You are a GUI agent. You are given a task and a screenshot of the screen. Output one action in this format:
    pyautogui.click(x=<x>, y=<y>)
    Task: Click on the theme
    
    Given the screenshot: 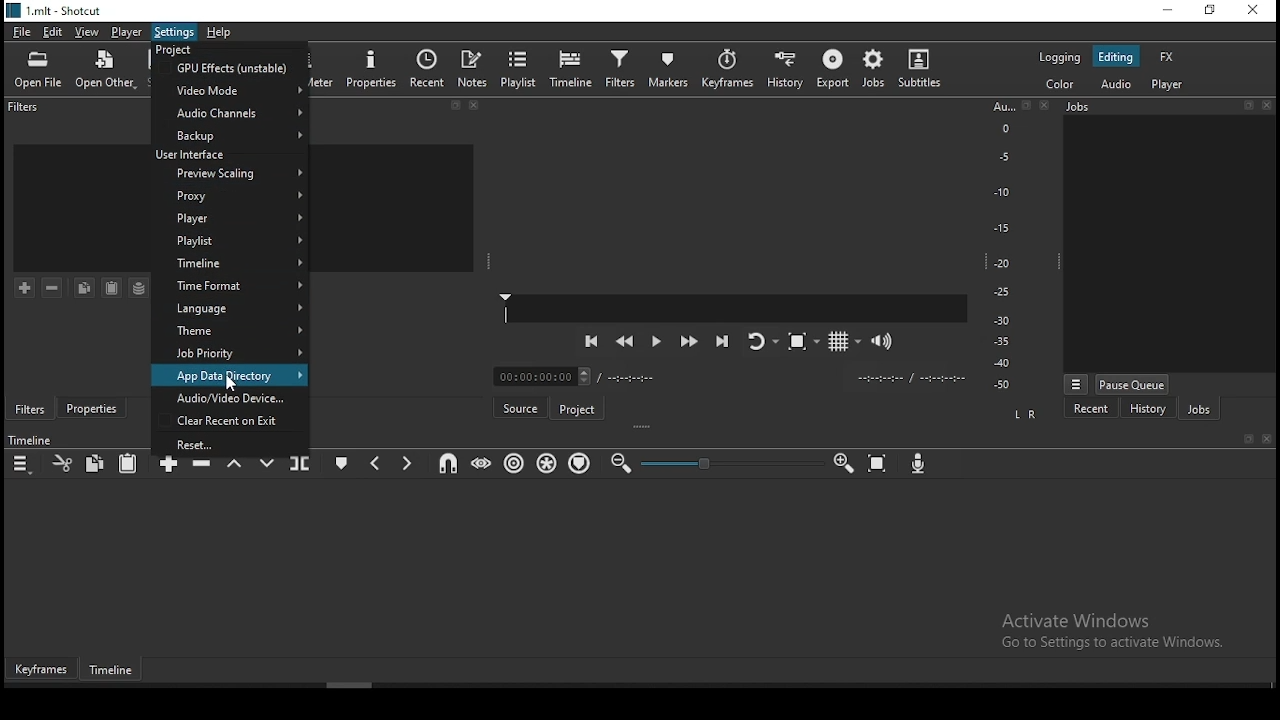 What is the action you would take?
    pyautogui.click(x=230, y=332)
    